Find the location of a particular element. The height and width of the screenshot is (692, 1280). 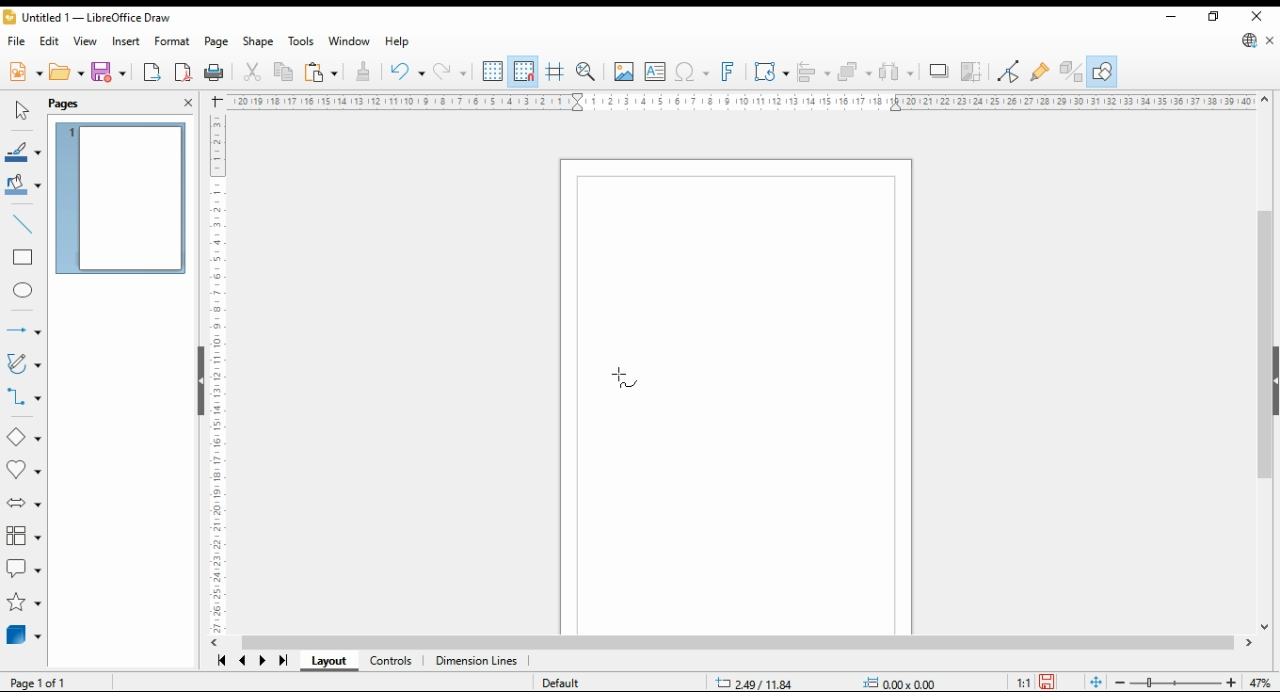

select is located at coordinates (22, 111).